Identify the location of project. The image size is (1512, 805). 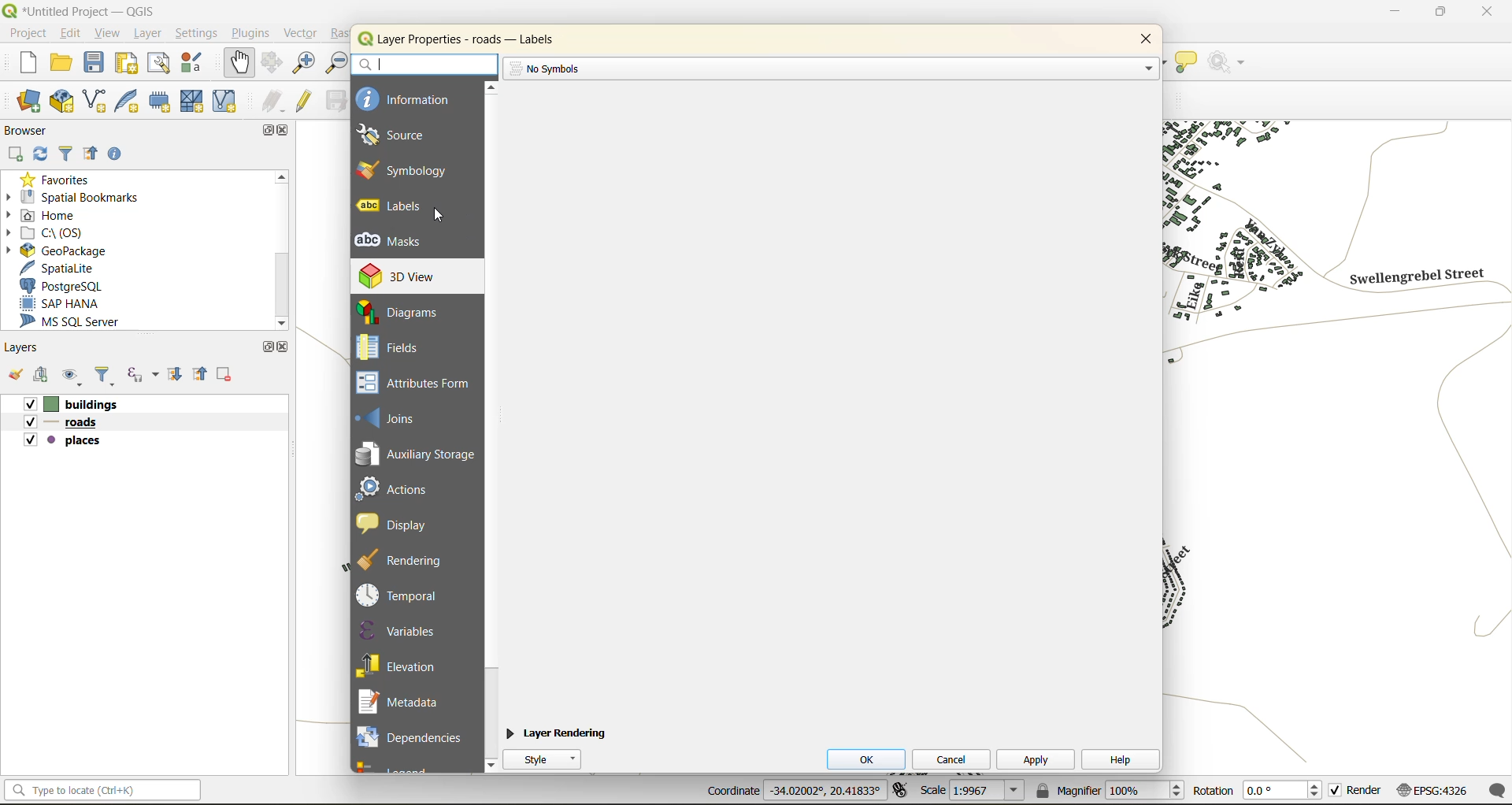
(28, 35).